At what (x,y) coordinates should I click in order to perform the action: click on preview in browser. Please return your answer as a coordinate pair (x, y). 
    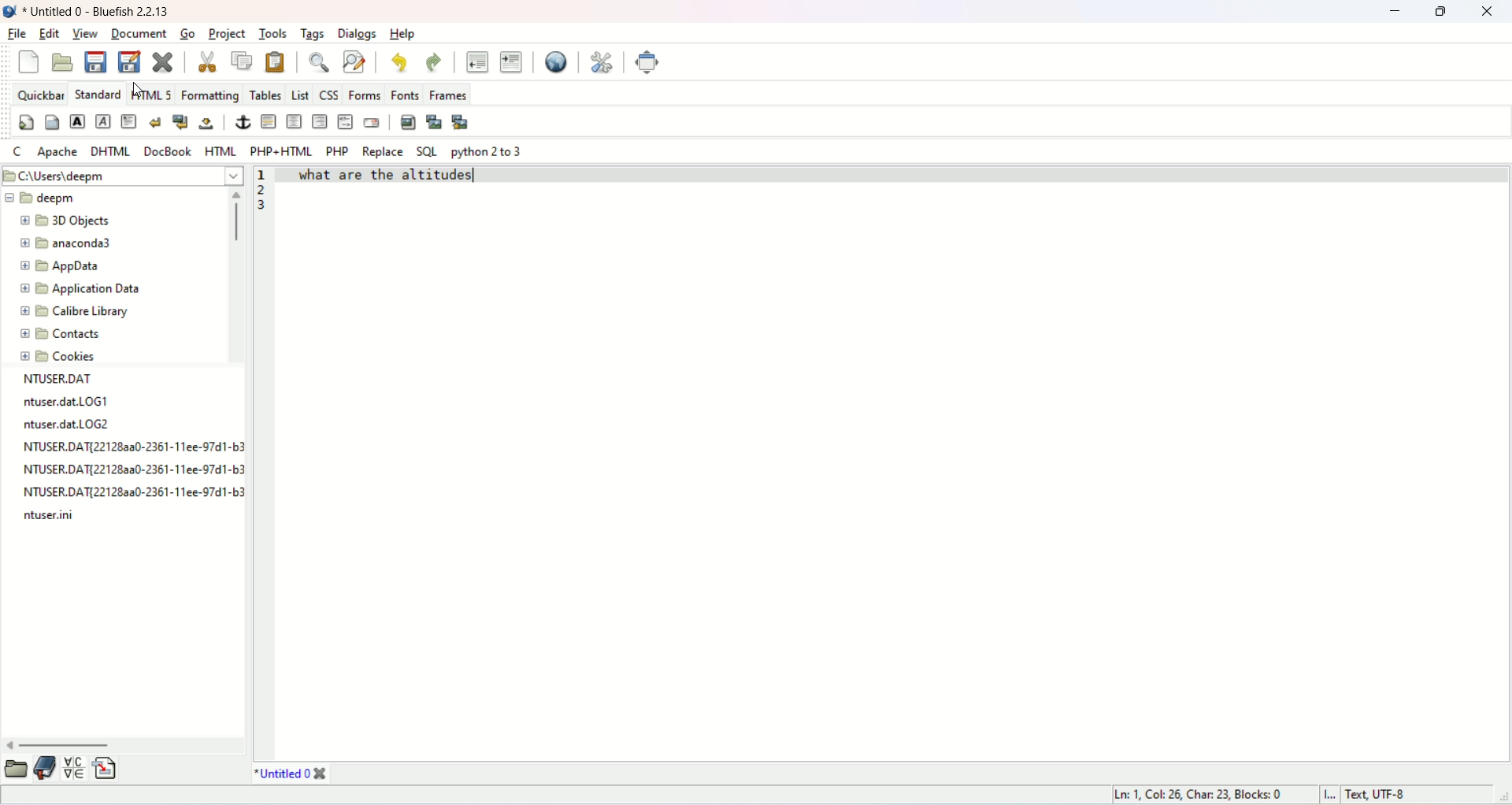
    Looking at the image, I should click on (556, 62).